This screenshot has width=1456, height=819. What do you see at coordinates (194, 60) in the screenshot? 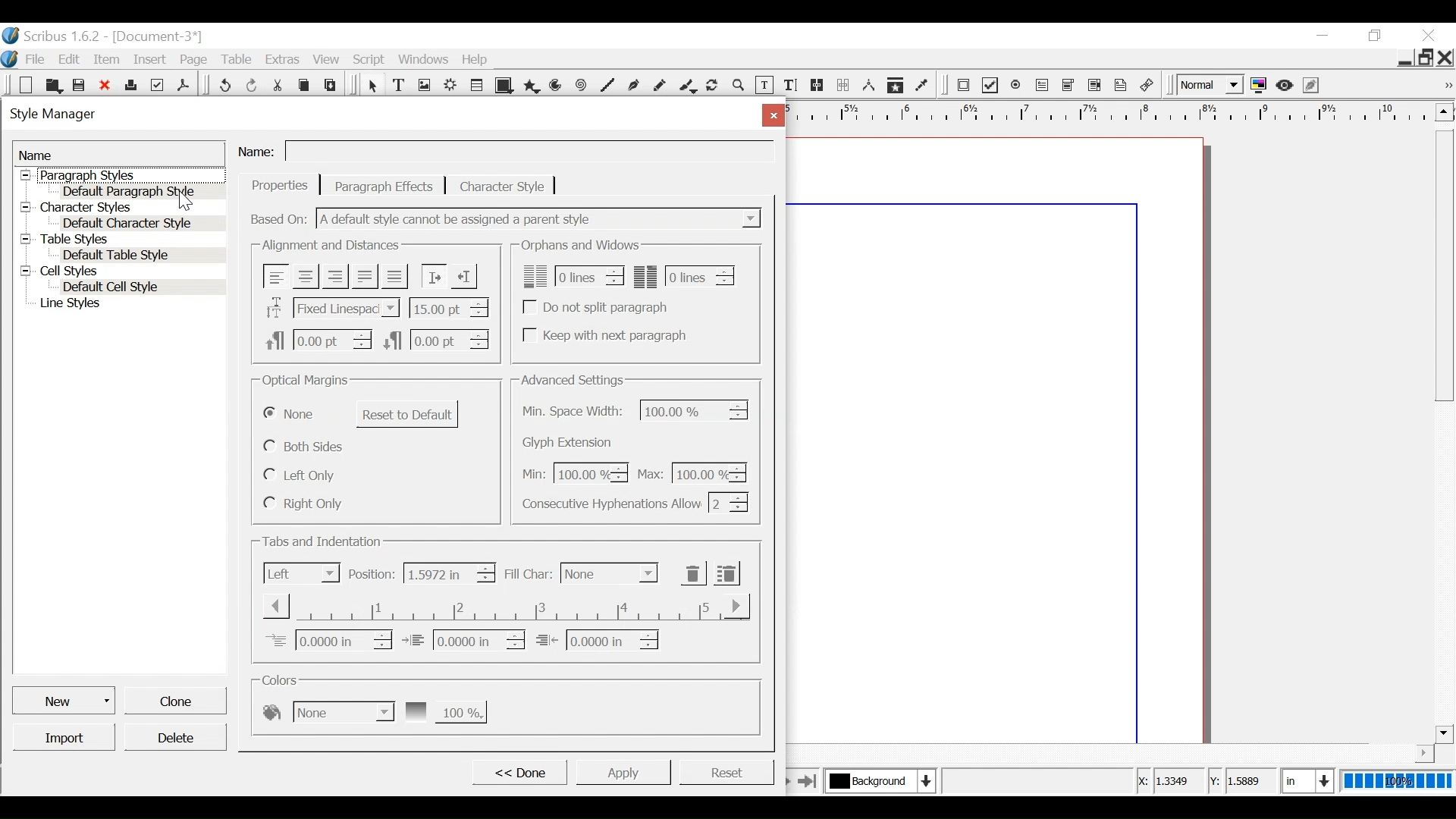
I see `Page` at bounding box center [194, 60].